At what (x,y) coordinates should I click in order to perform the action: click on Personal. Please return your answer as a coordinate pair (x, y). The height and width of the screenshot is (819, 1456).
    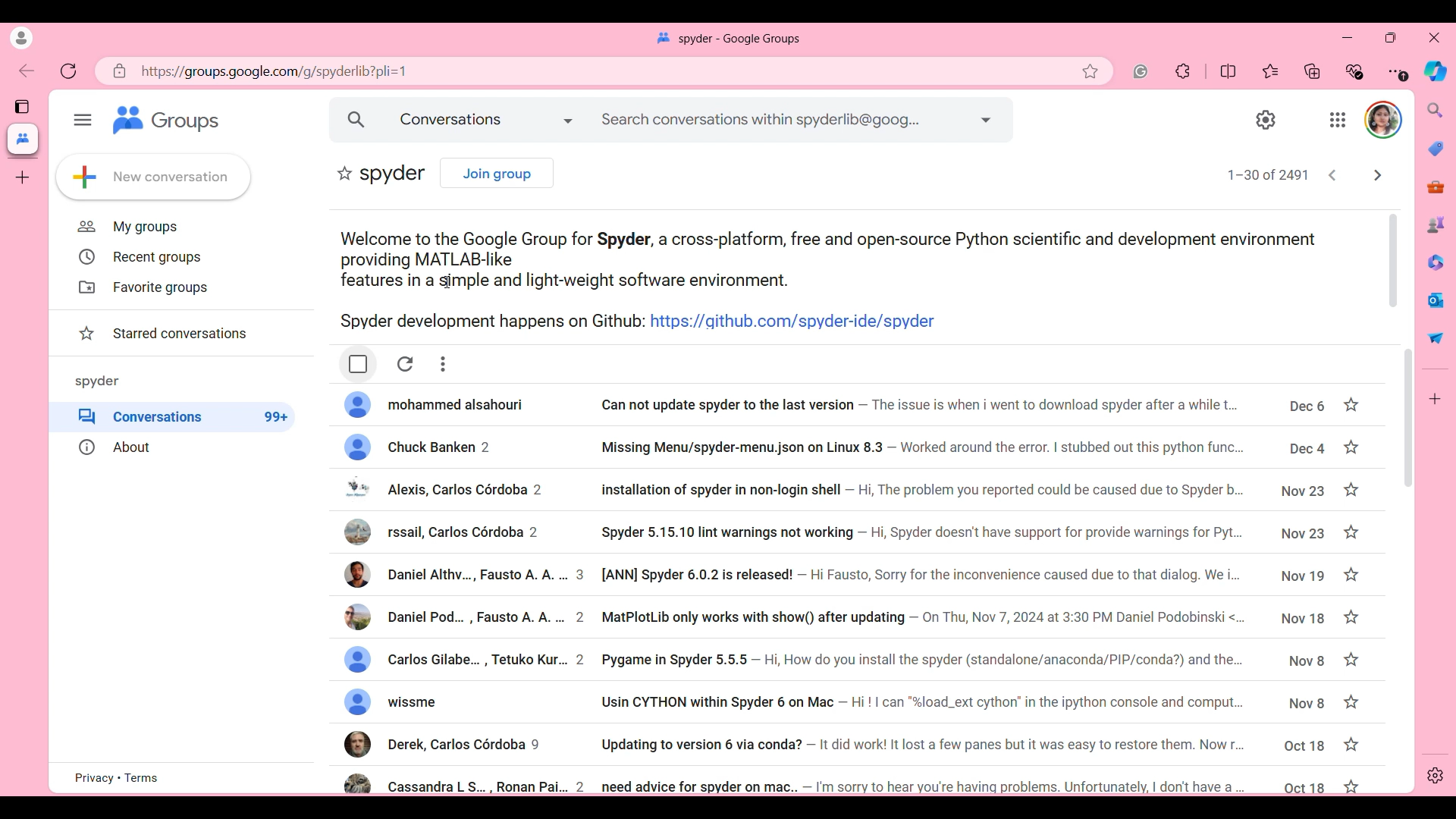
    Looking at the image, I should click on (22, 38).